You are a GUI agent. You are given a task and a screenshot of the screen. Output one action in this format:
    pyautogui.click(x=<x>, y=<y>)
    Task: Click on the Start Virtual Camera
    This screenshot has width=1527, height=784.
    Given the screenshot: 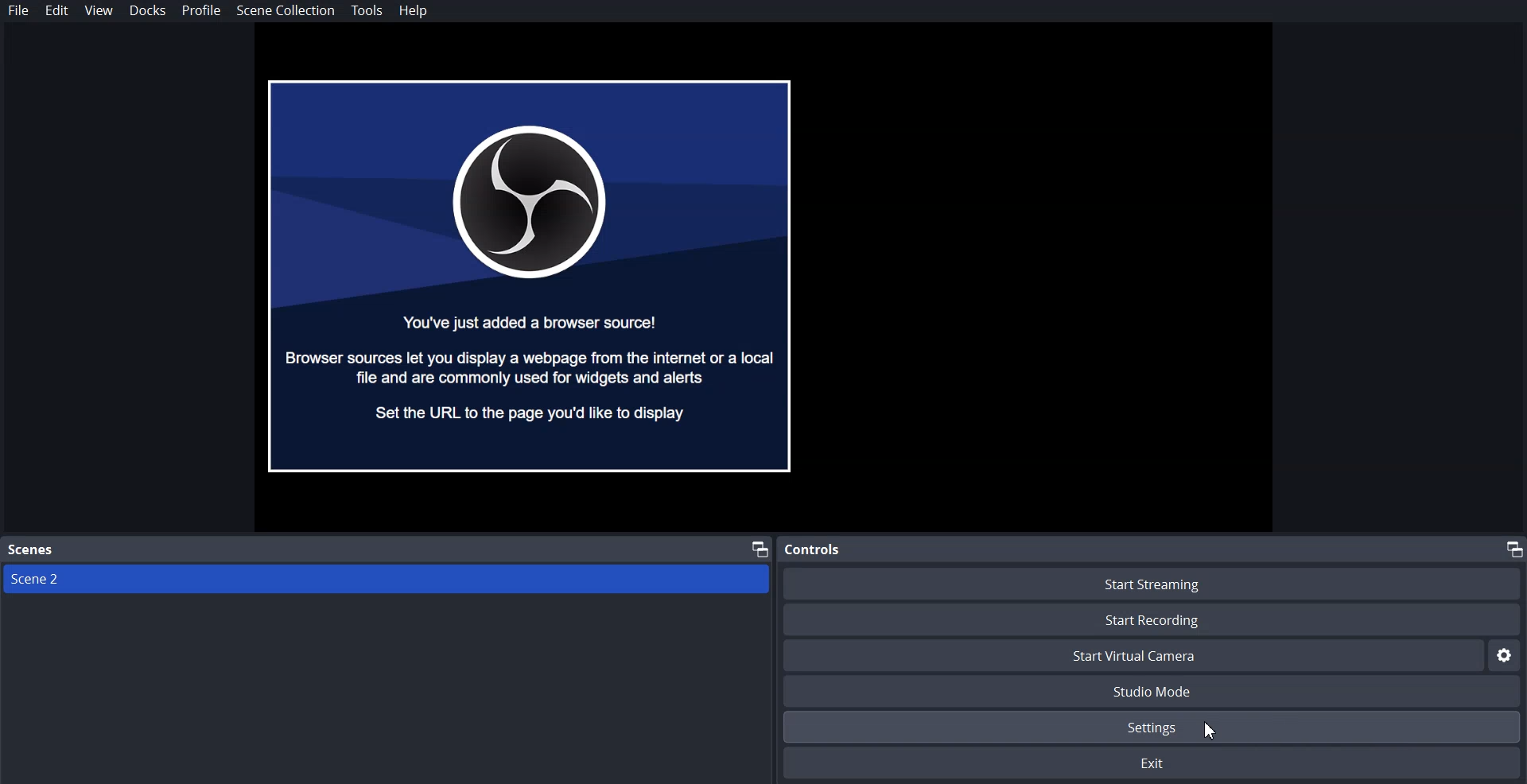 What is the action you would take?
    pyautogui.click(x=1133, y=655)
    